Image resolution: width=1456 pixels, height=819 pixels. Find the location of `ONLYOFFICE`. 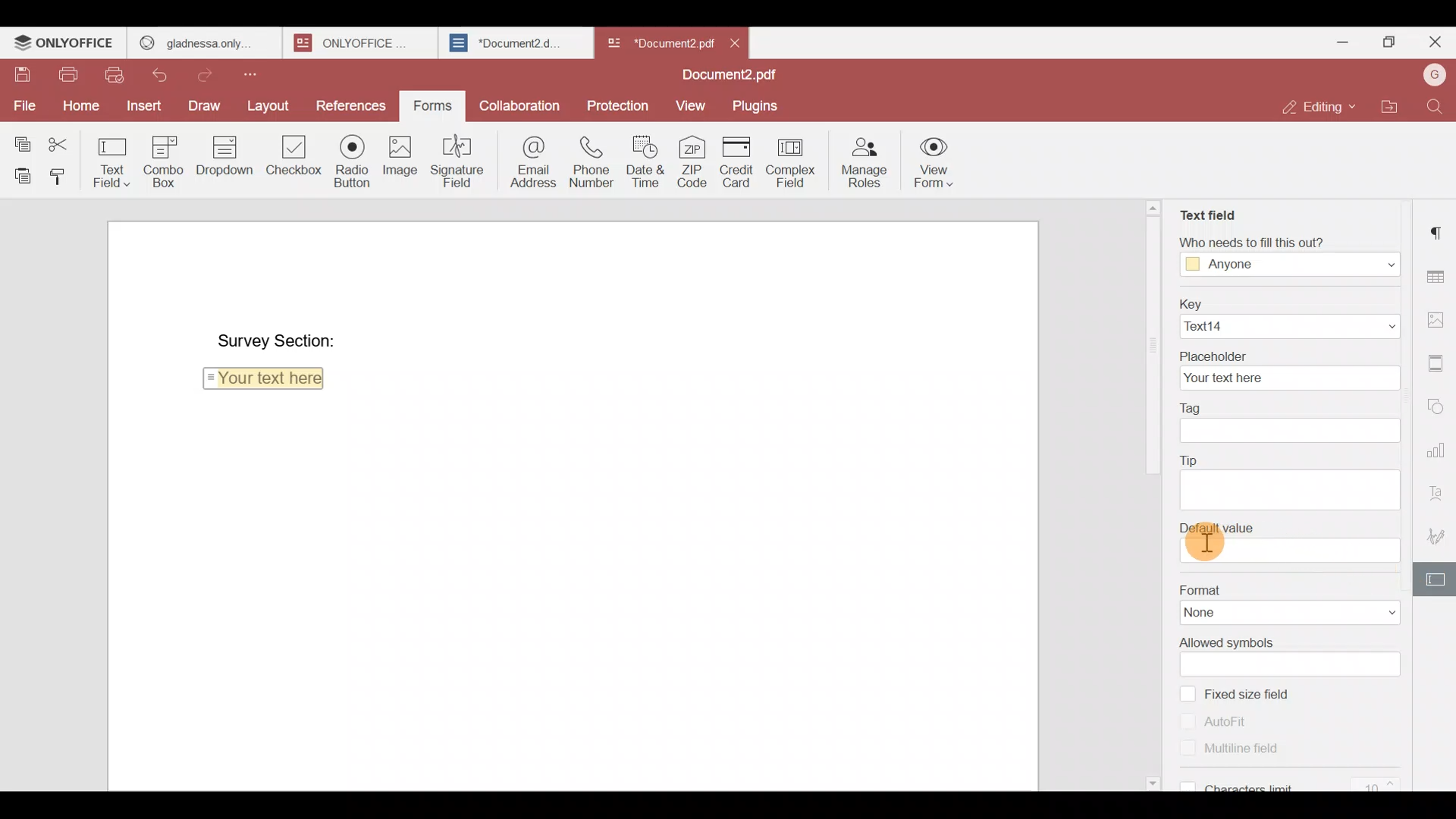

ONLYOFFICE is located at coordinates (356, 42).